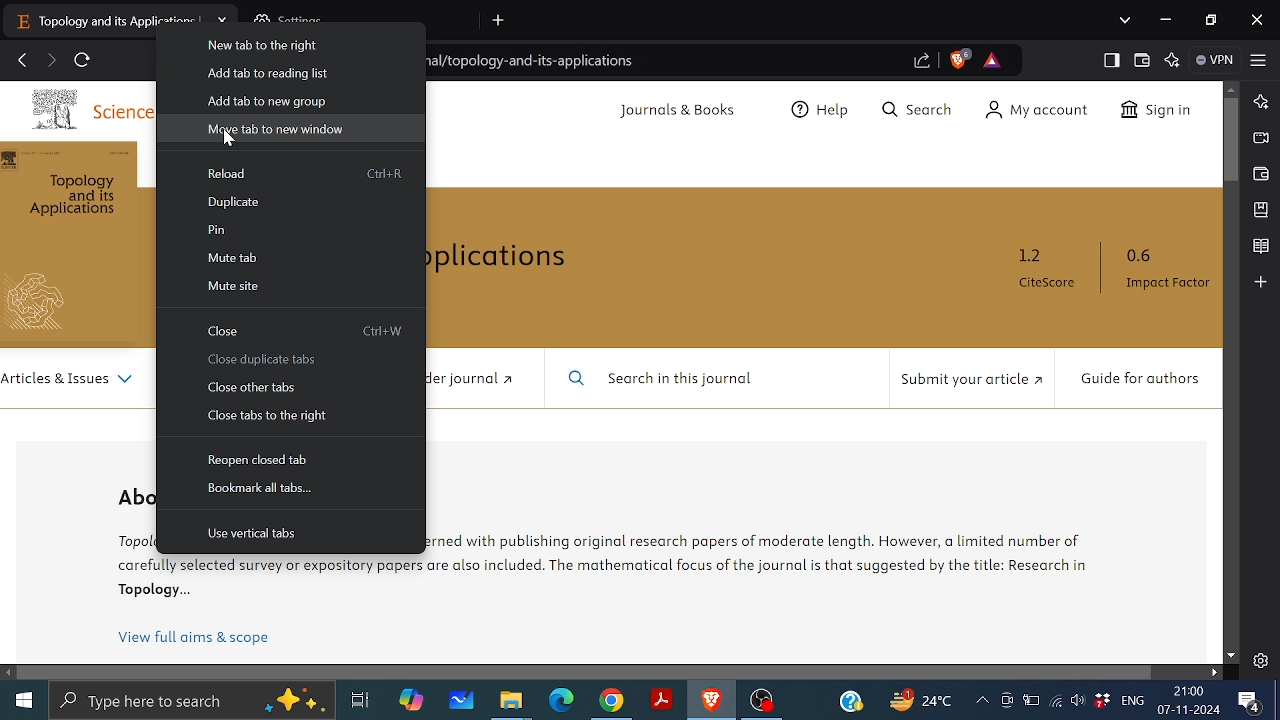 Image resolution: width=1280 pixels, height=720 pixels. Describe the element at coordinates (660, 700) in the screenshot. I see `Adobe reader` at that location.